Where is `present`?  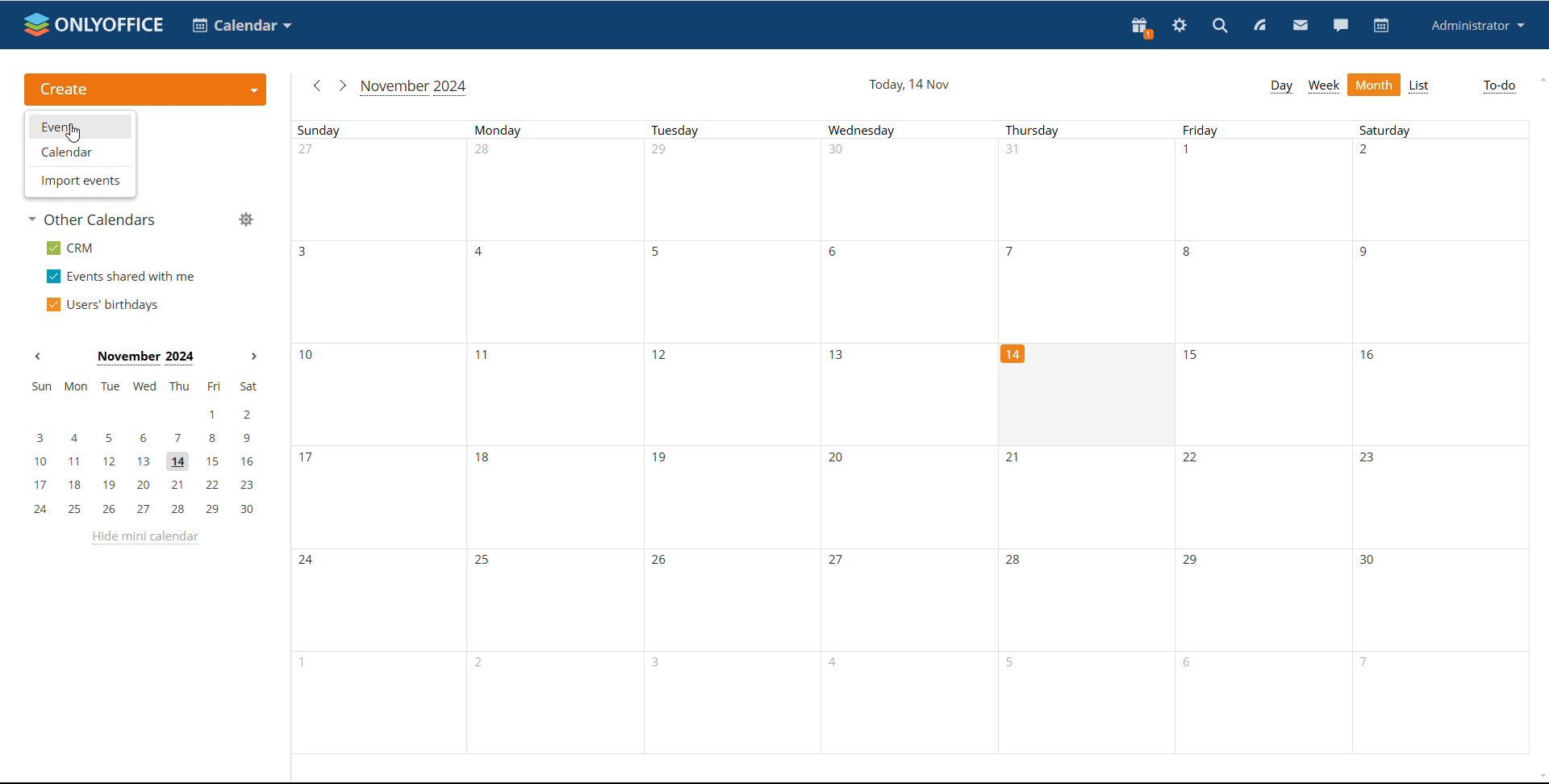 present is located at coordinates (1140, 27).